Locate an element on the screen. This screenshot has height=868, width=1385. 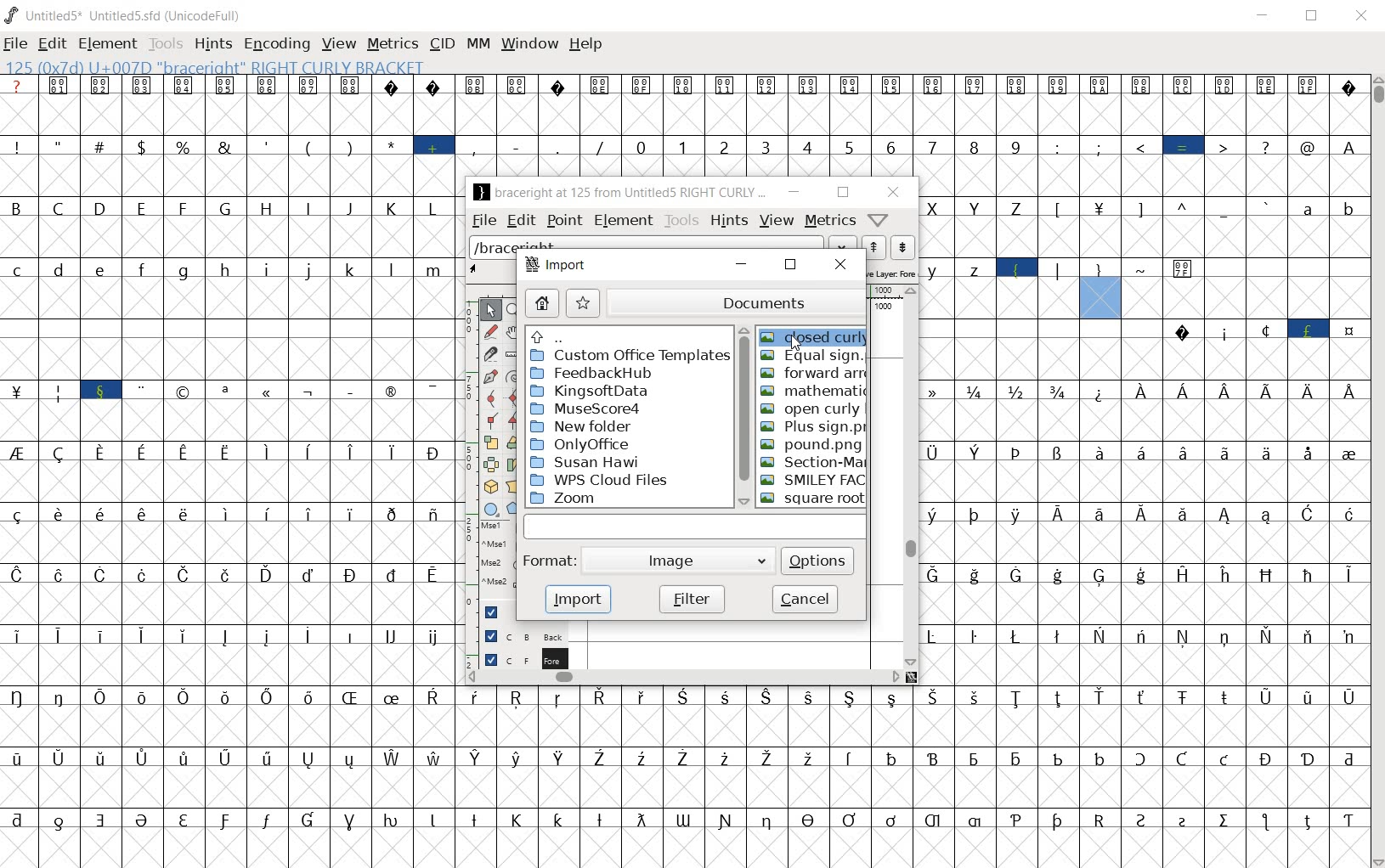
MM is located at coordinates (478, 45).